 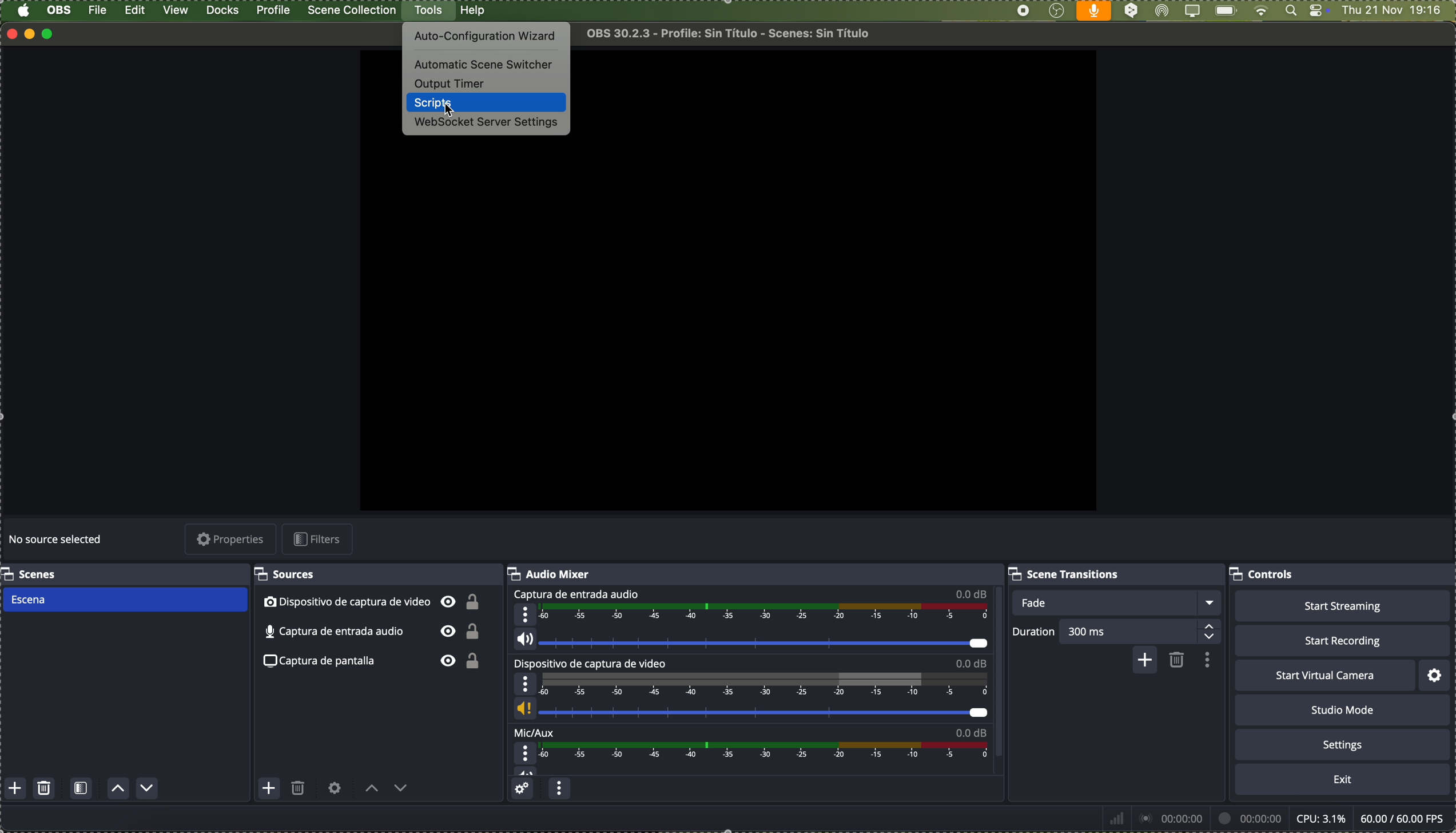 What do you see at coordinates (722, 320) in the screenshot?
I see `workspace` at bounding box center [722, 320].